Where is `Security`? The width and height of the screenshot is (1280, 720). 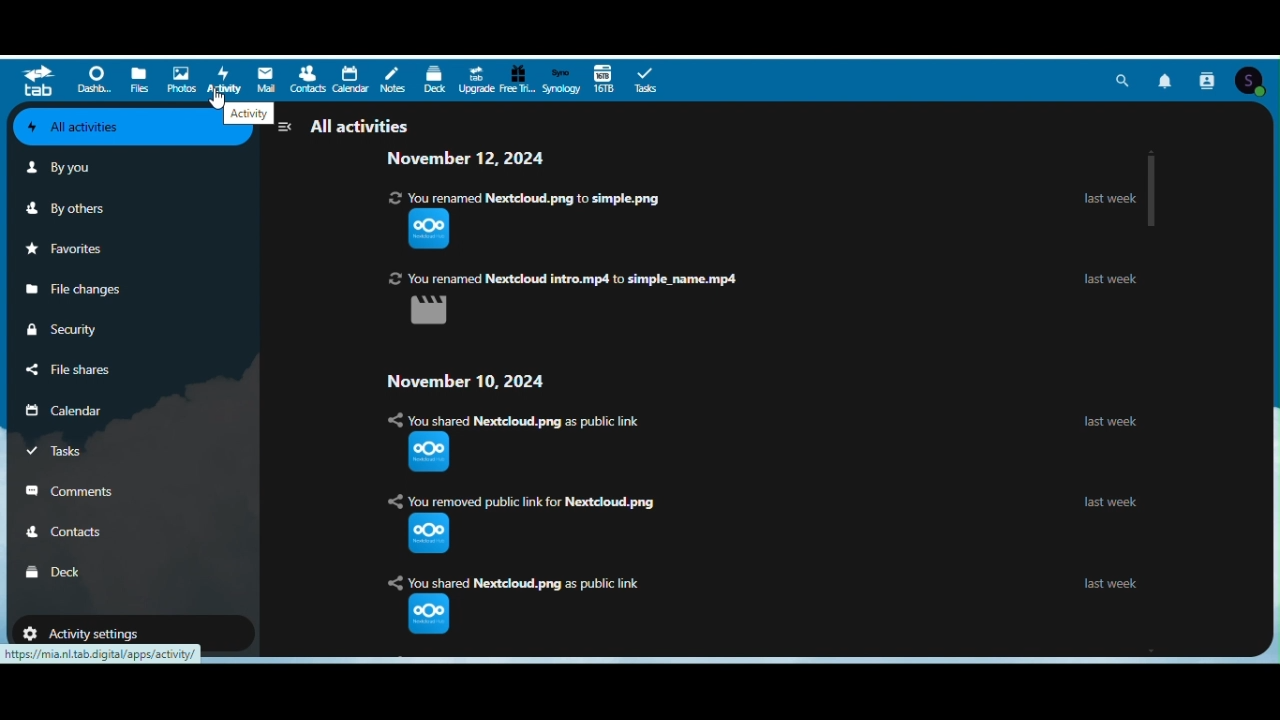
Security is located at coordinates (75, 329).